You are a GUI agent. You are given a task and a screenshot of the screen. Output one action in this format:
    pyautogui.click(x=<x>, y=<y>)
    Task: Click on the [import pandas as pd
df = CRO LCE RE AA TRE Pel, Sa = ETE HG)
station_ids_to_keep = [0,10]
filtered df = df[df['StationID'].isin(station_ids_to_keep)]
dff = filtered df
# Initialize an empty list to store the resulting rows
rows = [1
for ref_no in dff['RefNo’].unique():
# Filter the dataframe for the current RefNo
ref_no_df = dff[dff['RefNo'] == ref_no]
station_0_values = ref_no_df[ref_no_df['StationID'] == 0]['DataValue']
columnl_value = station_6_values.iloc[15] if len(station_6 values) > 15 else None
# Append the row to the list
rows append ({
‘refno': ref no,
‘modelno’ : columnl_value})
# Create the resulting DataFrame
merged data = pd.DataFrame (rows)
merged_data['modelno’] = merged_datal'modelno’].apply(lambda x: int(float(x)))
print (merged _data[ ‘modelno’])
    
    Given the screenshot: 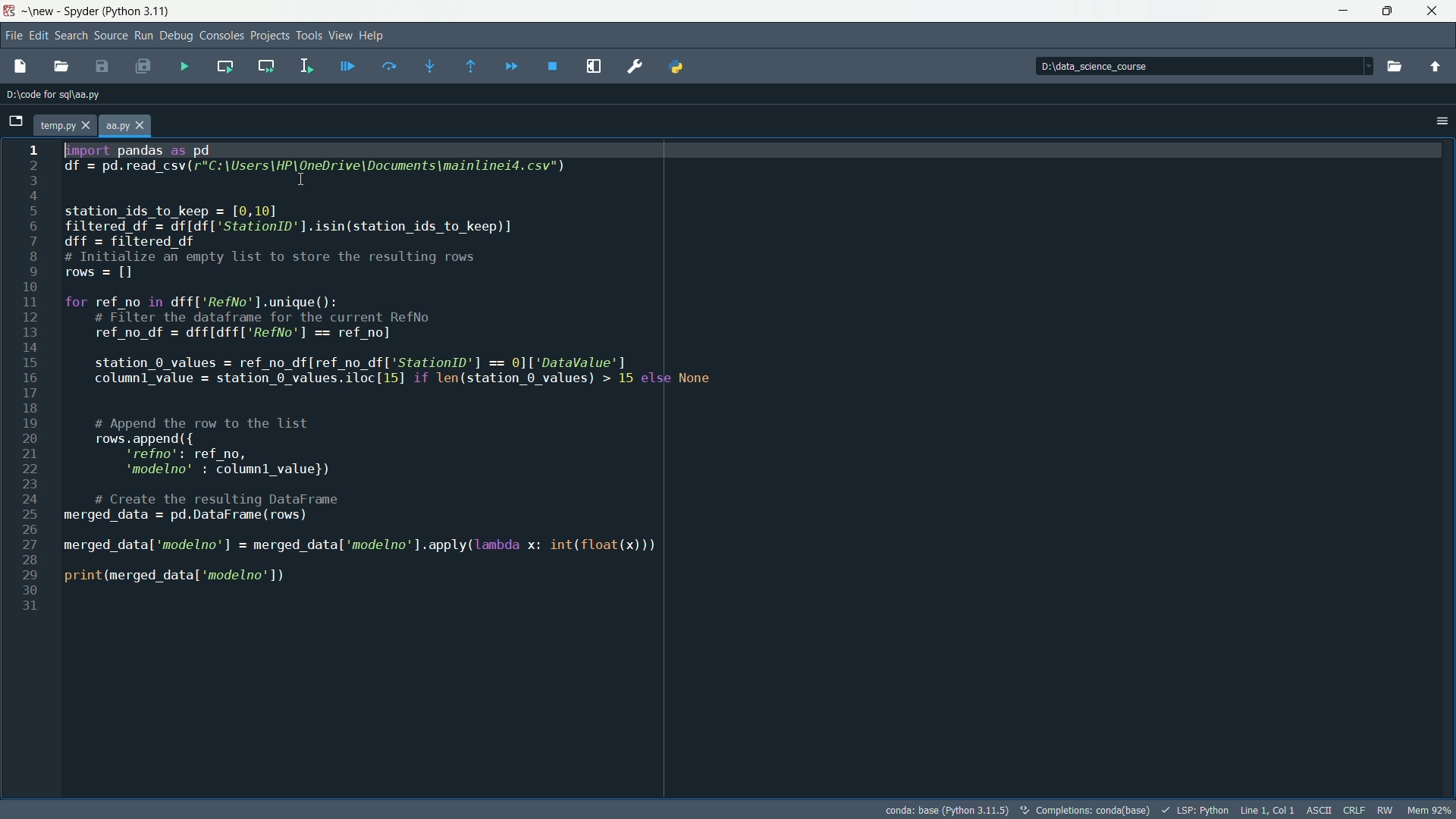 What is the action you would take?
    pyautogui.click(x=416, y=380)
    